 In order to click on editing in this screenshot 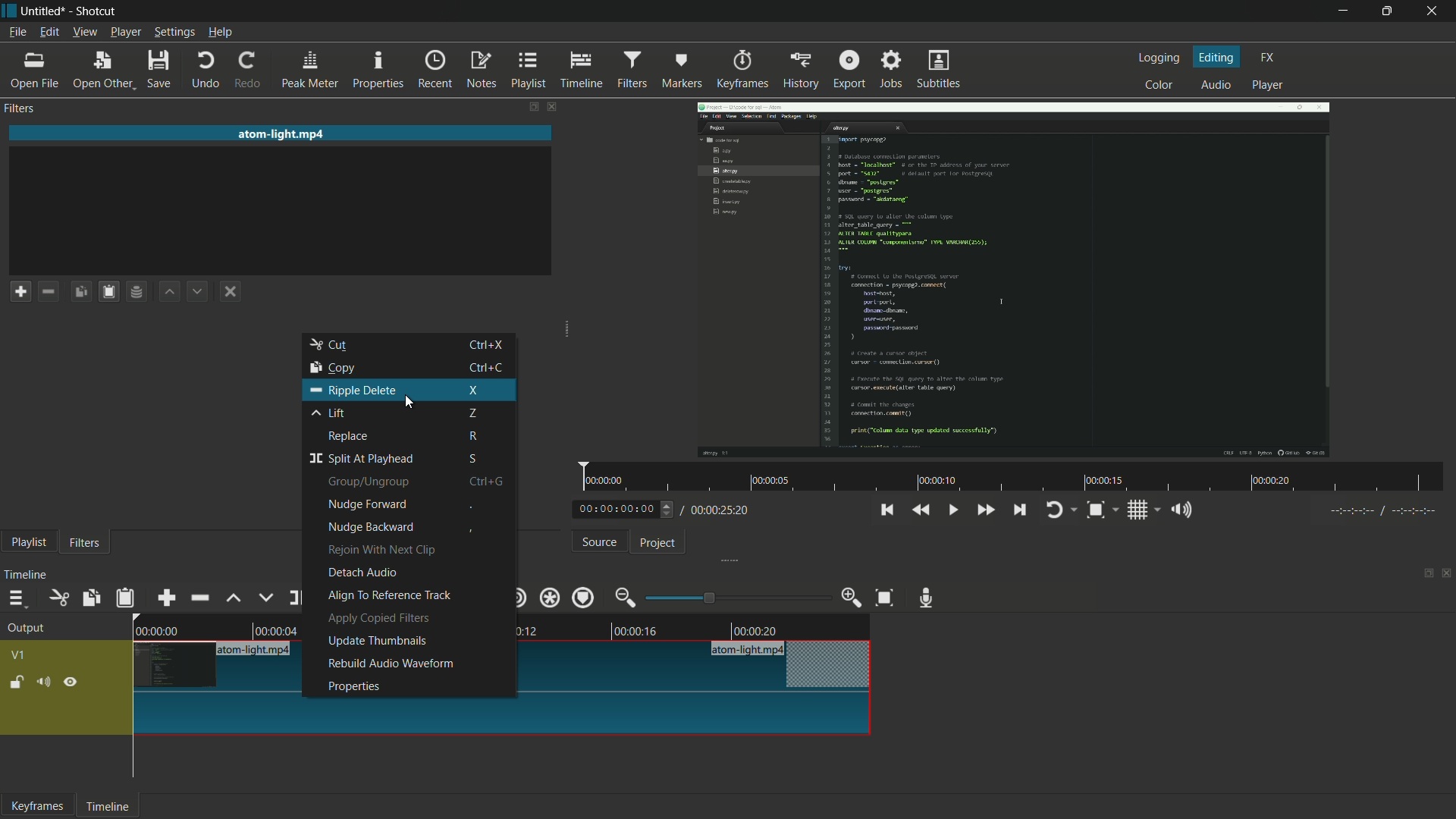, I will do `click(1218, 58)`.